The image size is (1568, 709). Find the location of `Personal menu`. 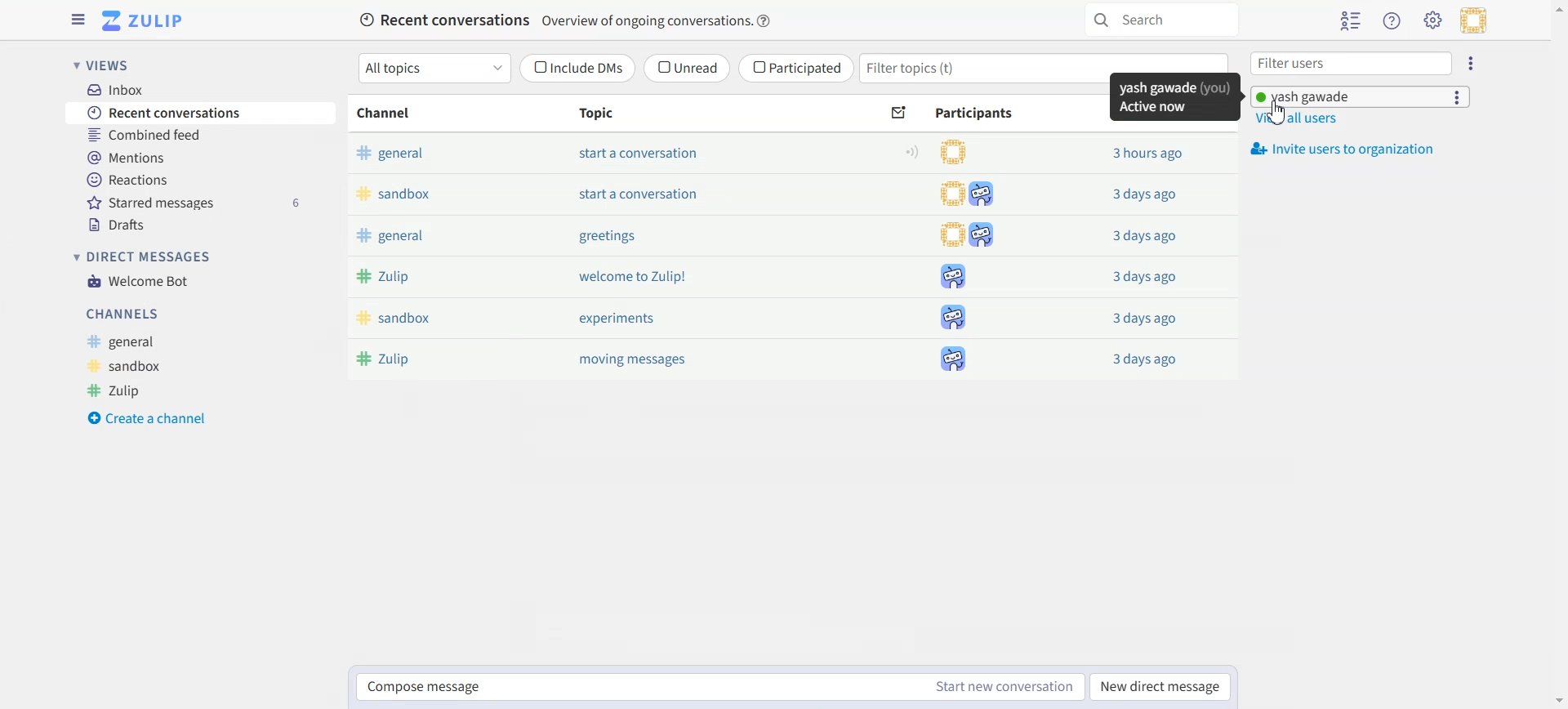

Personal menu is located at coordinates (1473, 23).